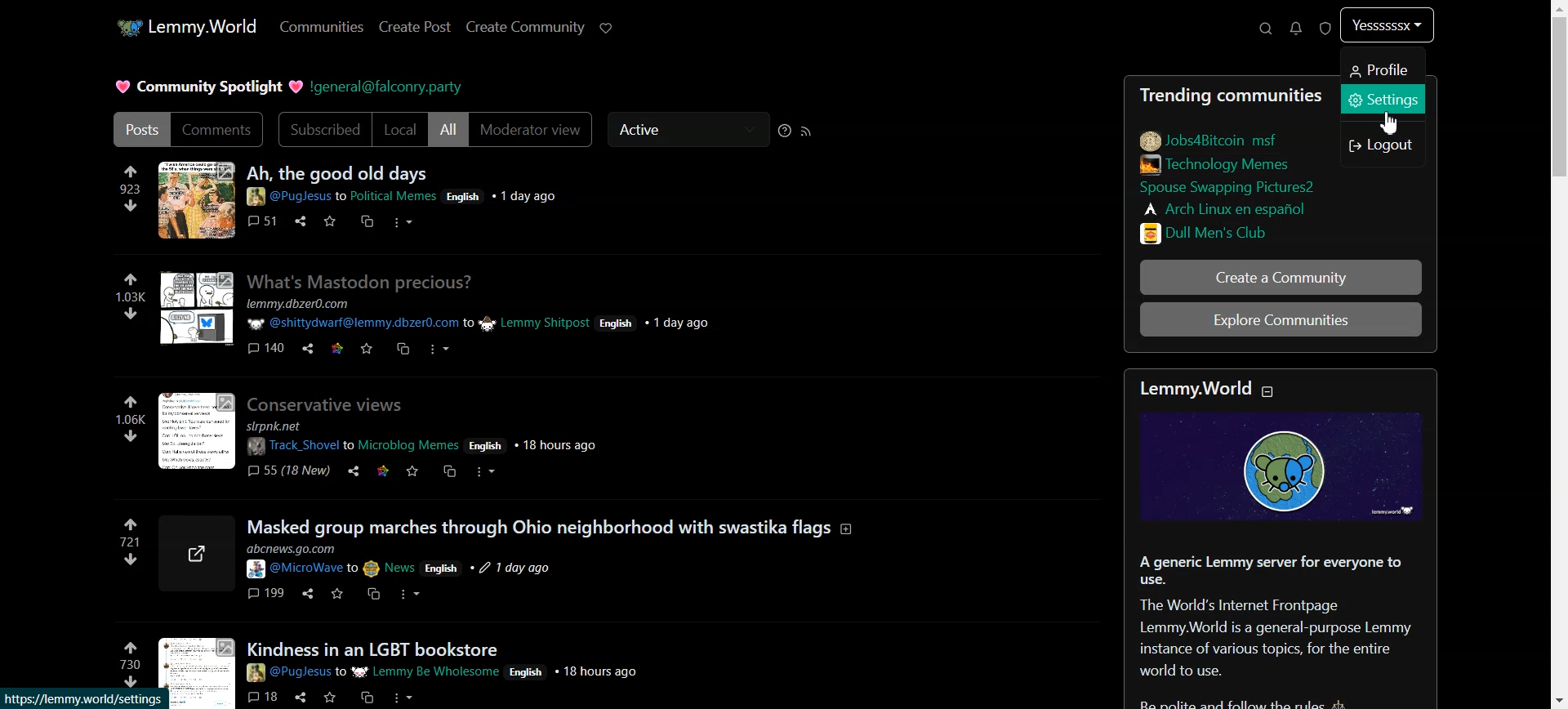 The width and height of the screenshot is (1568, 709). What do you see at coordinates (132, 645) in the screenshot?
I see `upvote` at bounding box center [132, 645].